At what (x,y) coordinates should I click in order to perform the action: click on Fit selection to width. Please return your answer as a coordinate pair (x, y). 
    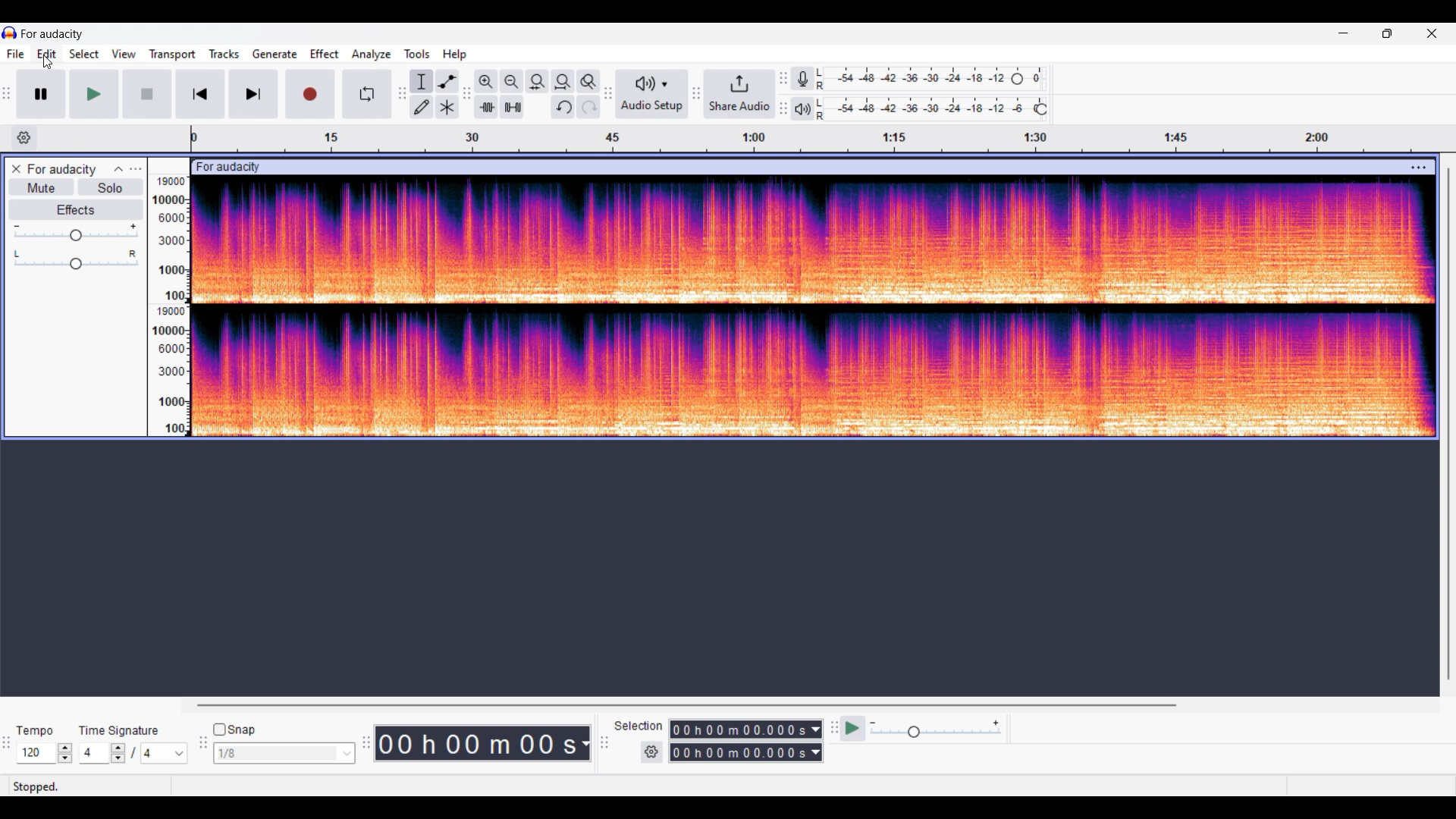
    Looking at the image, I should click on (538, 82).